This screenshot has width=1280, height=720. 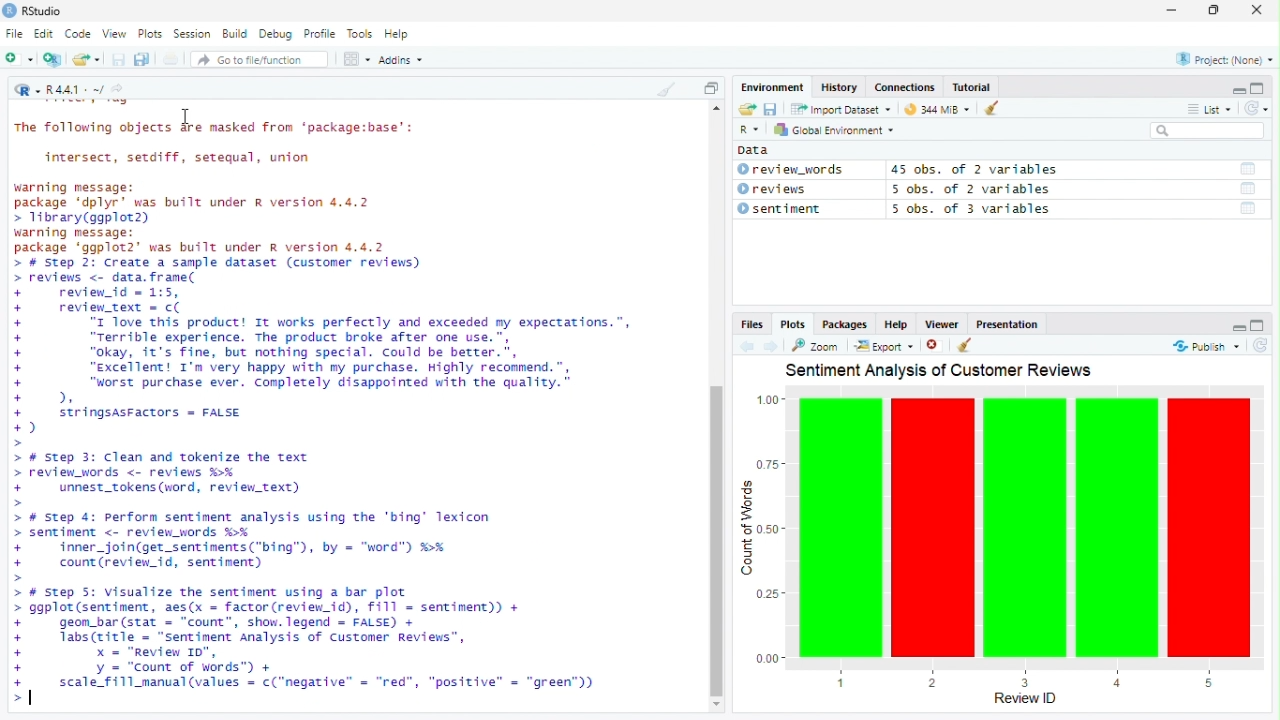 What do you see at coordinates (234, 32) in the screenshot?
I see `Build` at bounding box center [234, 32].